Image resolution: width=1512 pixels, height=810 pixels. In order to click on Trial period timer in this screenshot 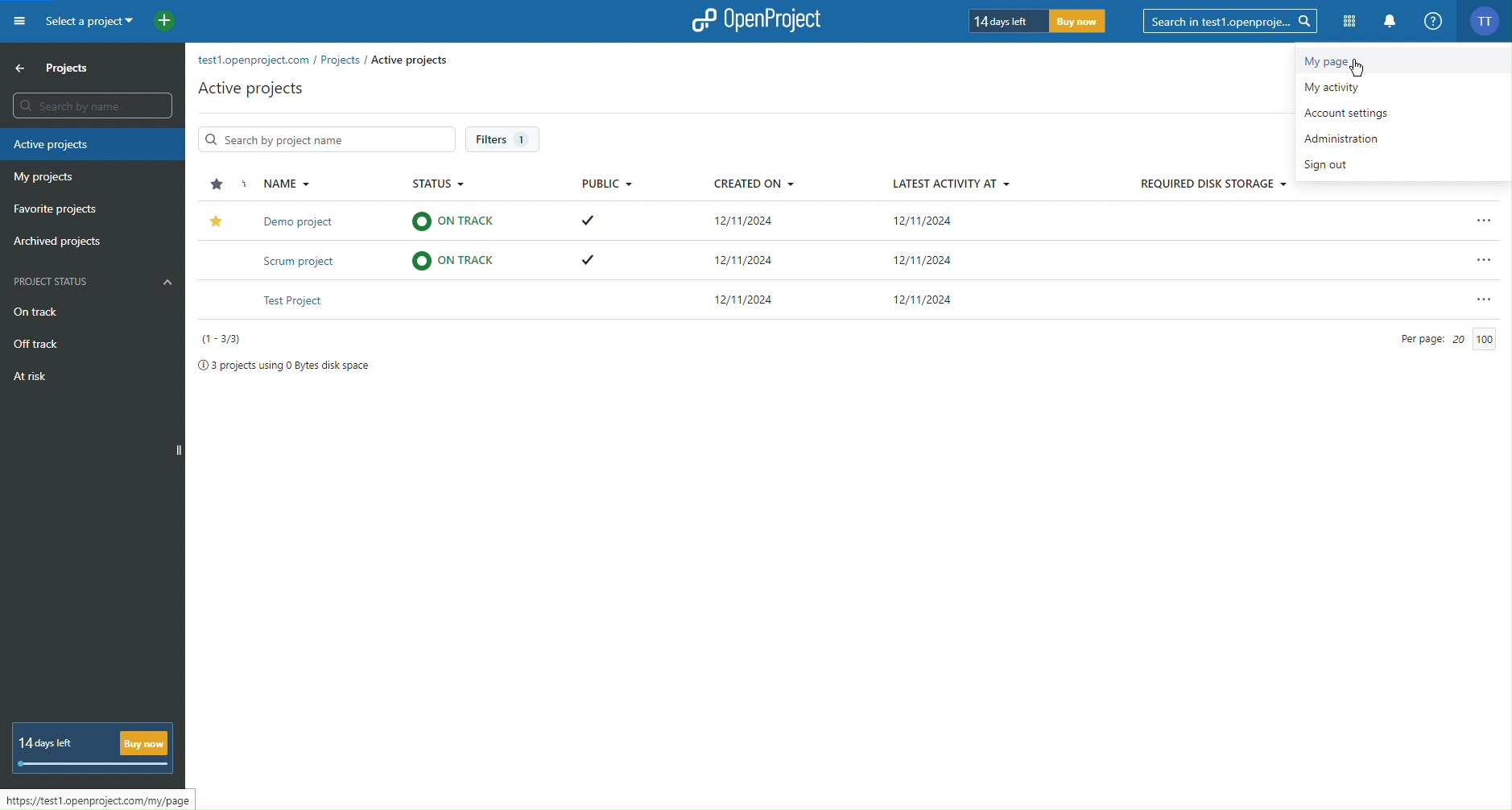, I will do `click(89, 748)`.